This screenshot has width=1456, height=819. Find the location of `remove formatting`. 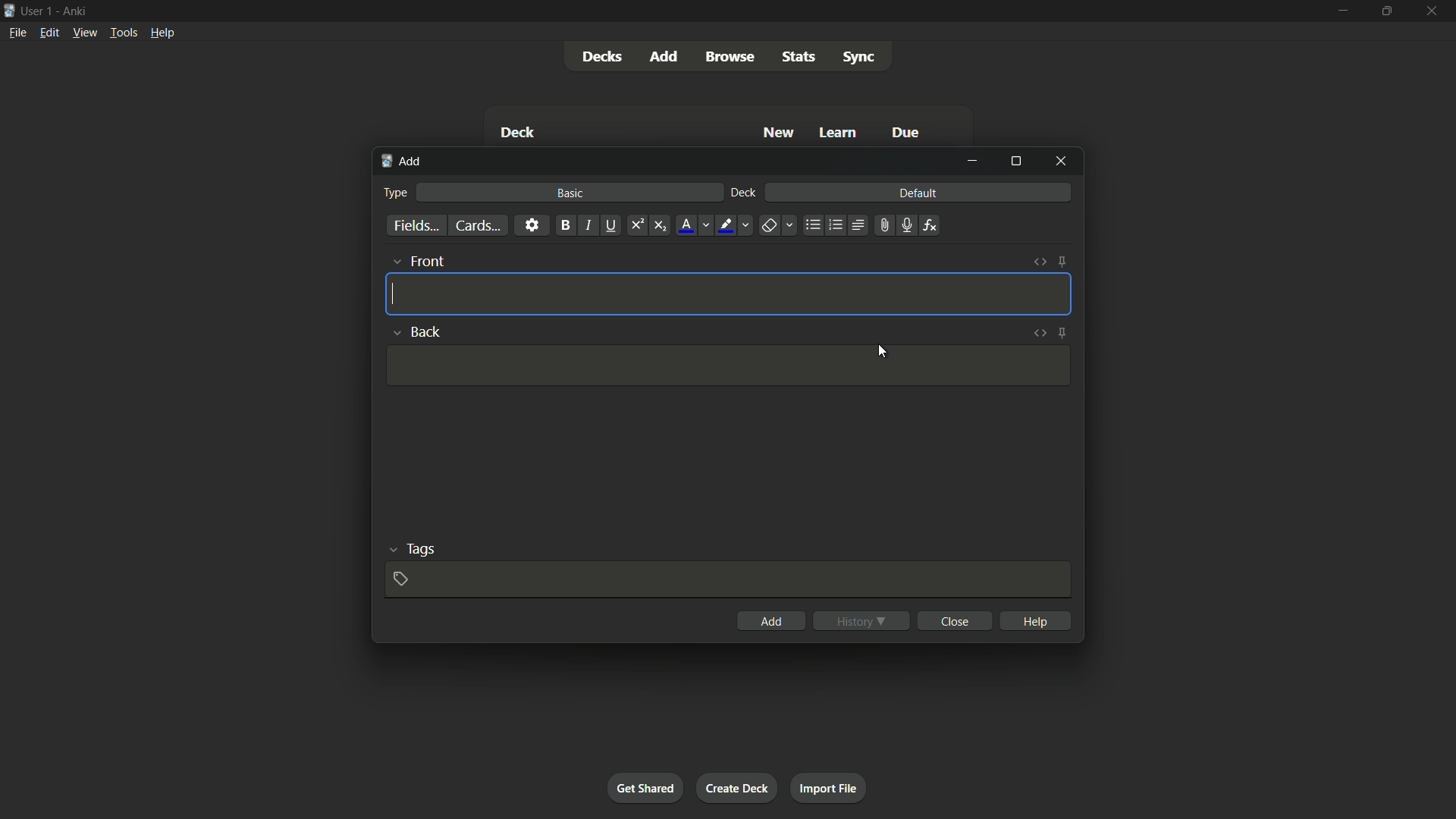

remove formatting is located at coordinates (779, 226).